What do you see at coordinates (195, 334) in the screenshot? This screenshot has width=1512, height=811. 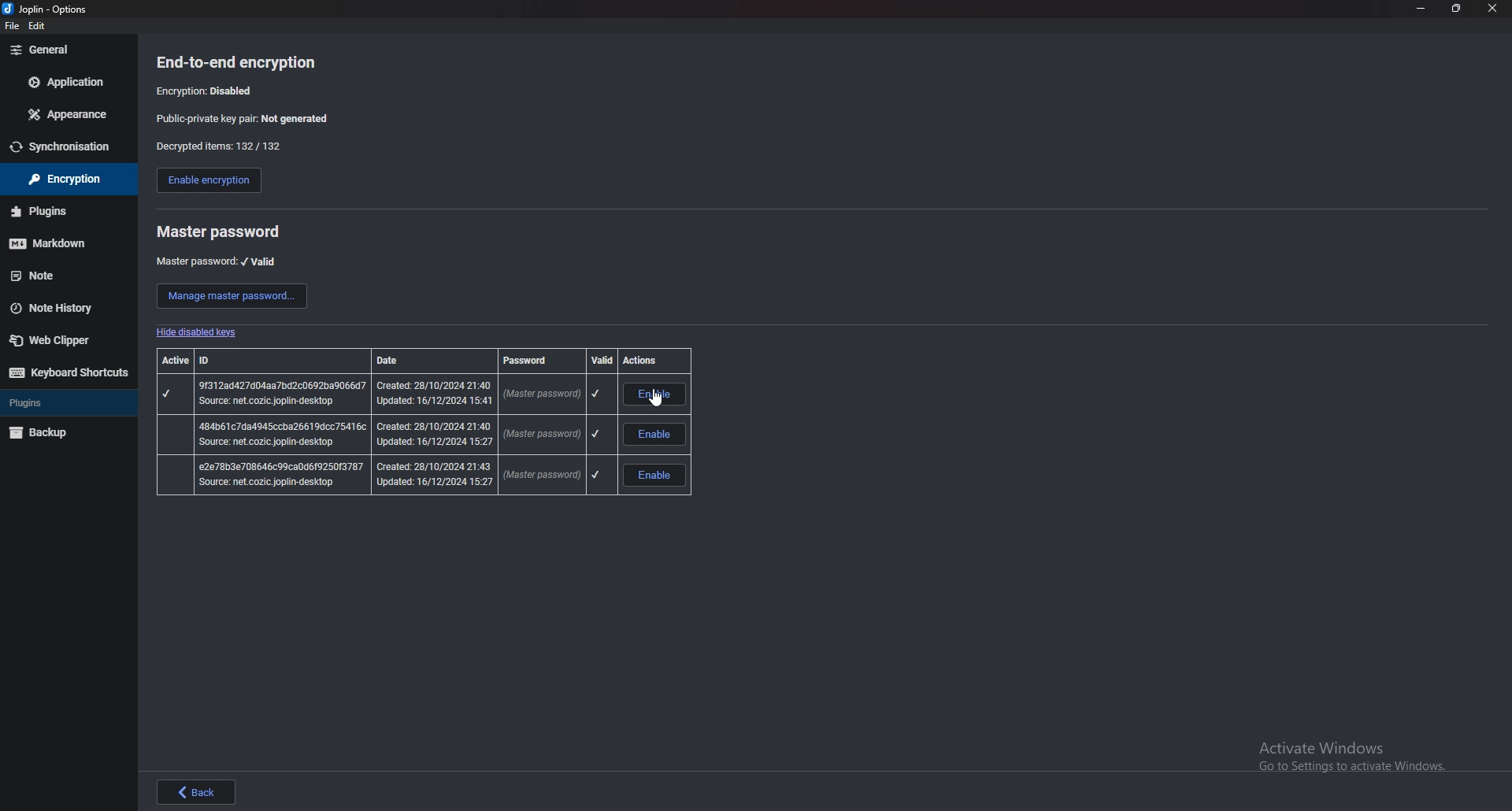 I see `show disabled key` at bounding box center [195, 334].